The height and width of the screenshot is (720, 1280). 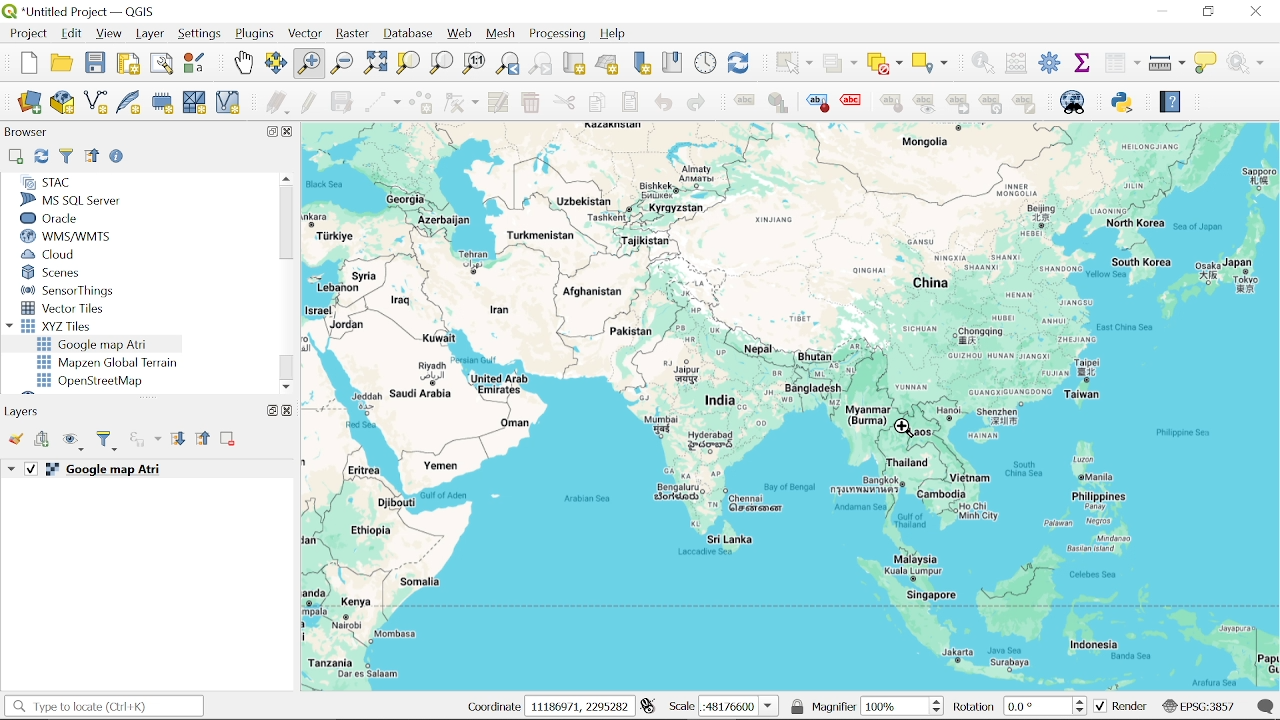 What do you see at coordinates (32, 469) in the screenshot?
I see `On/off` at bounding box center [32, 469].